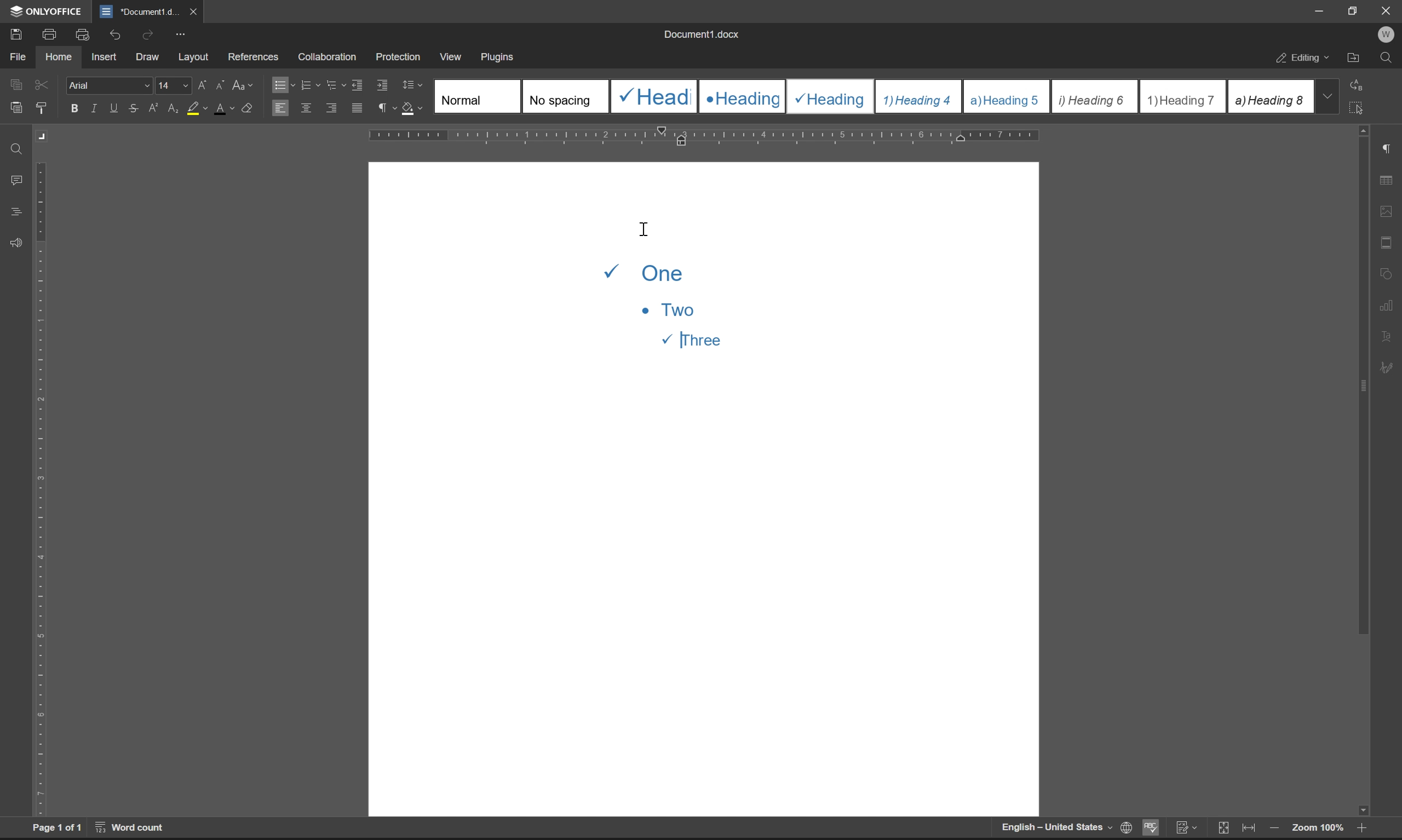 This screenshot has width=1402, height=840. What do you see at coordinates (104, 56) in the screenshot?
I see `insert` at bounding box center [104, 56].